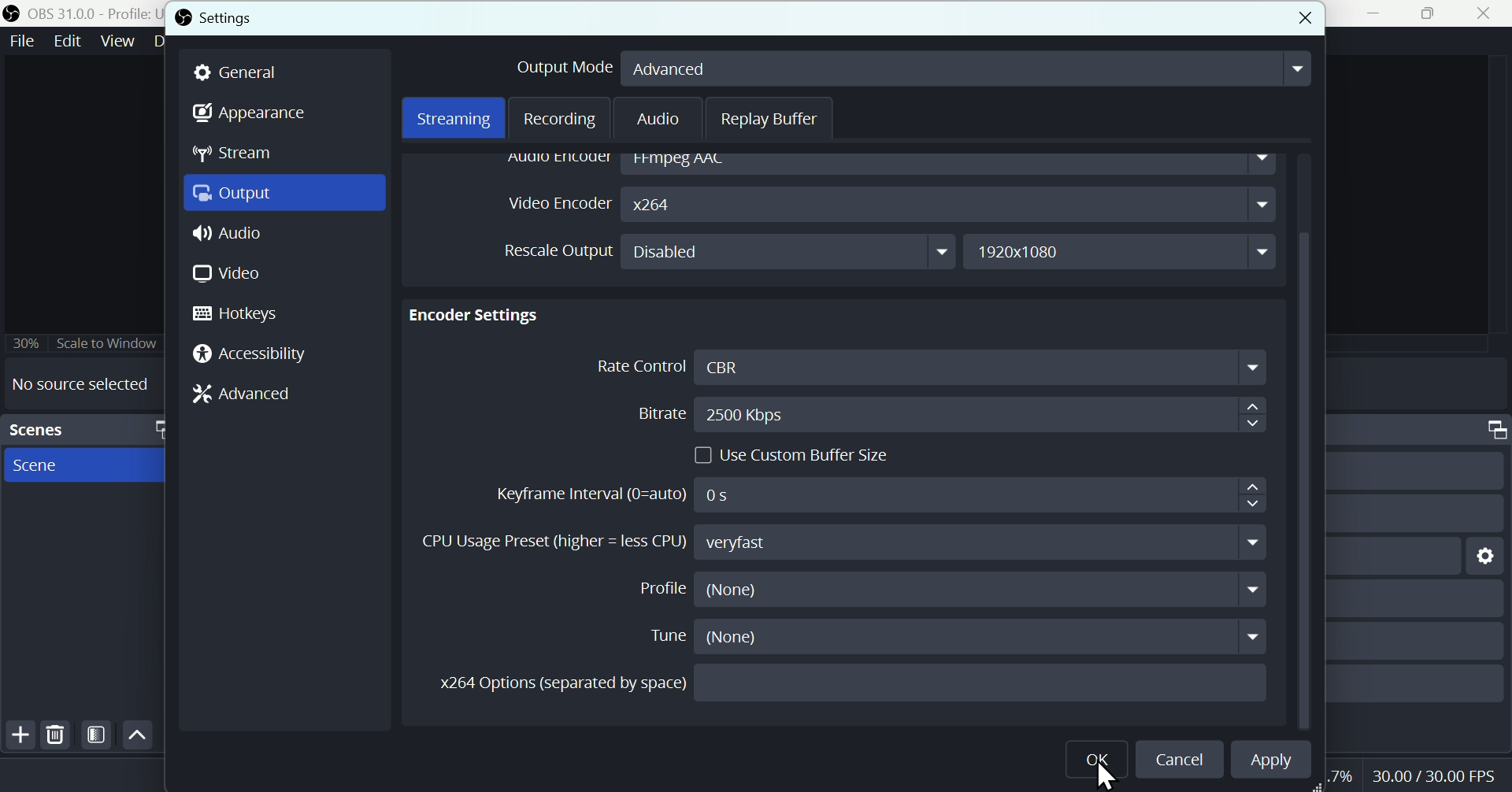  What do you see at coordinates (661, 120) in the screenshot?
I see `Audio` at bounding box center [661, 120].